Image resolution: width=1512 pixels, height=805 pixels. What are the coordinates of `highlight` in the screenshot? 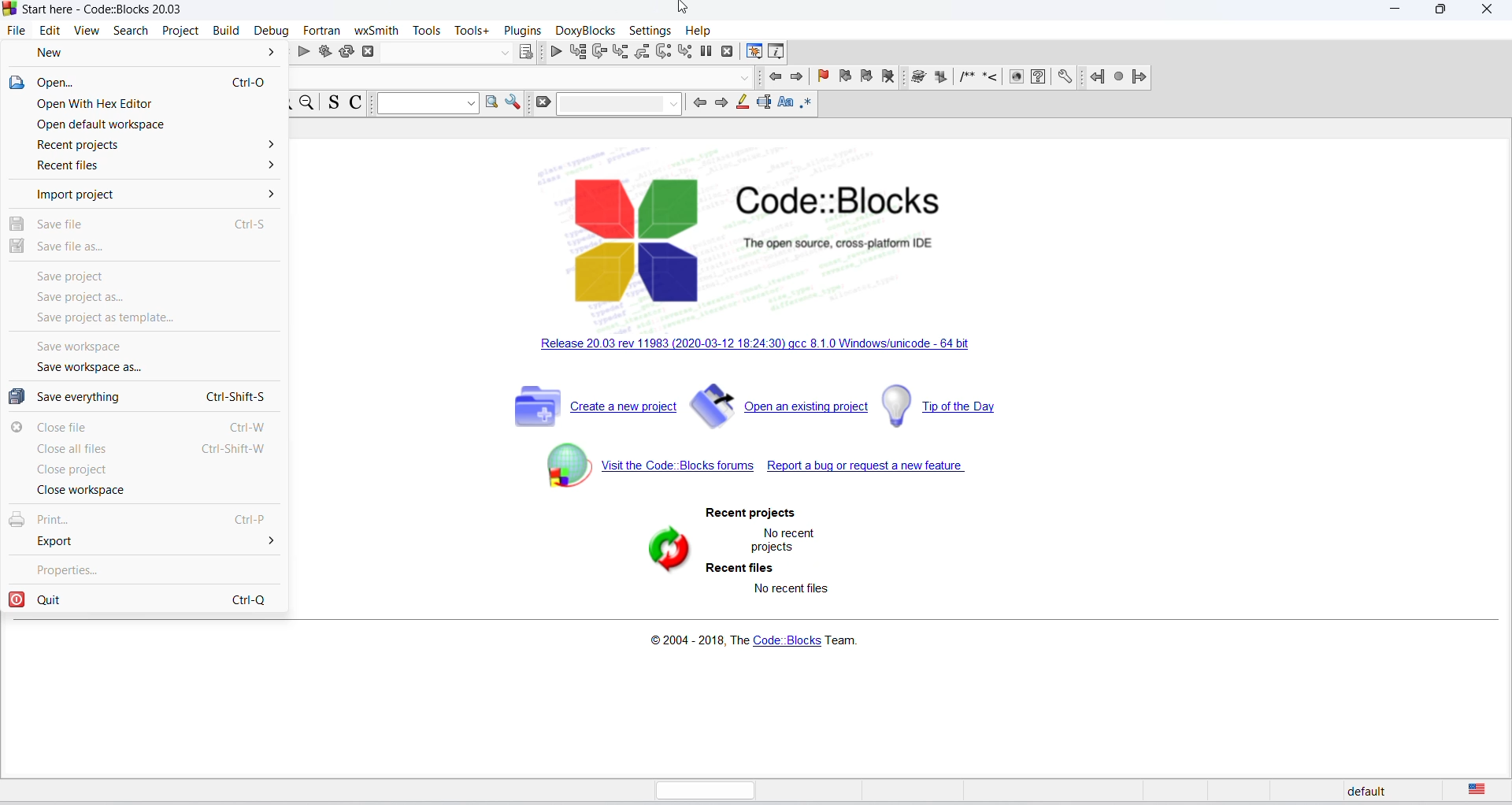 It's located at (745, 104).